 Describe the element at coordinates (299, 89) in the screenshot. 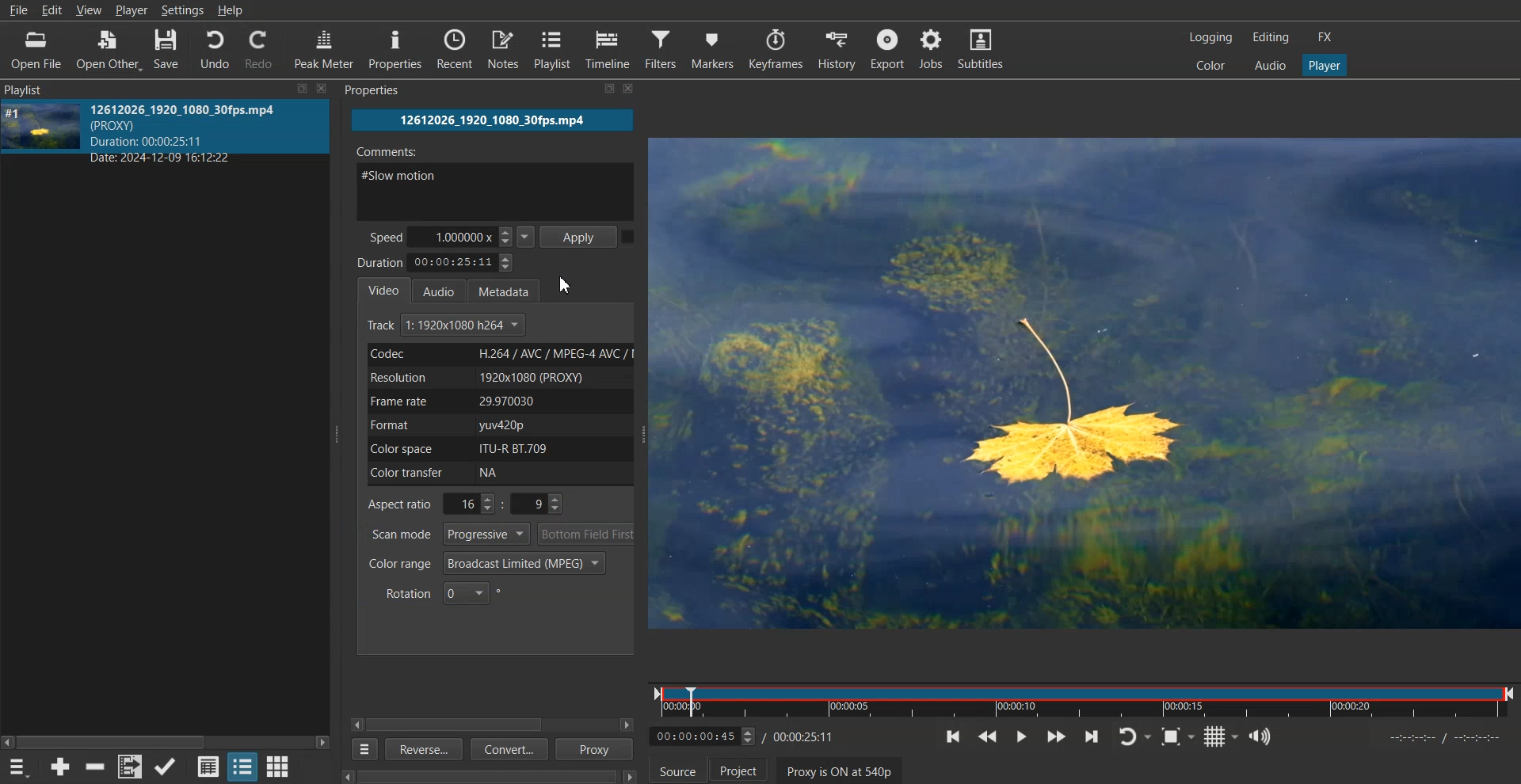

I see `resize` at that location.